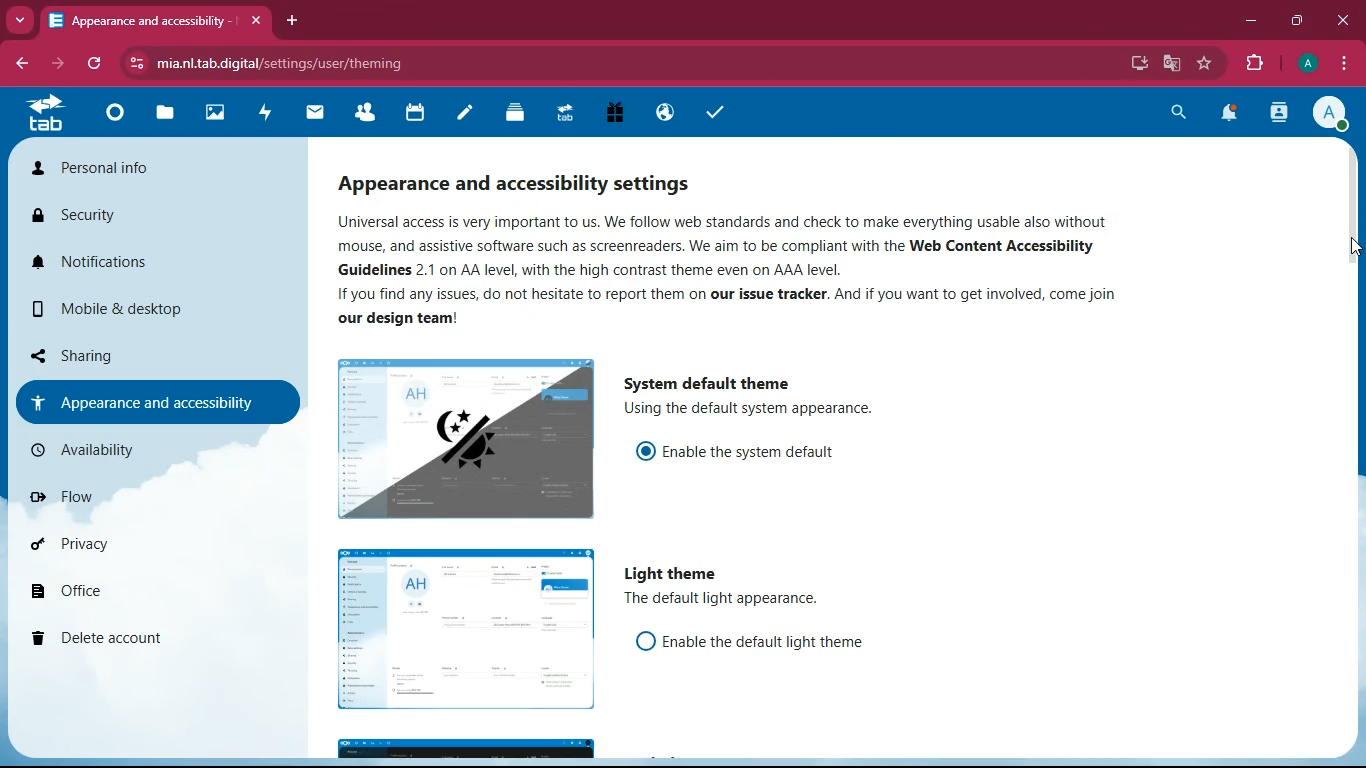  What do you see at coordinates (294, 21) in the screenshot?
I see `add tab` at bounding box center [294, 21].